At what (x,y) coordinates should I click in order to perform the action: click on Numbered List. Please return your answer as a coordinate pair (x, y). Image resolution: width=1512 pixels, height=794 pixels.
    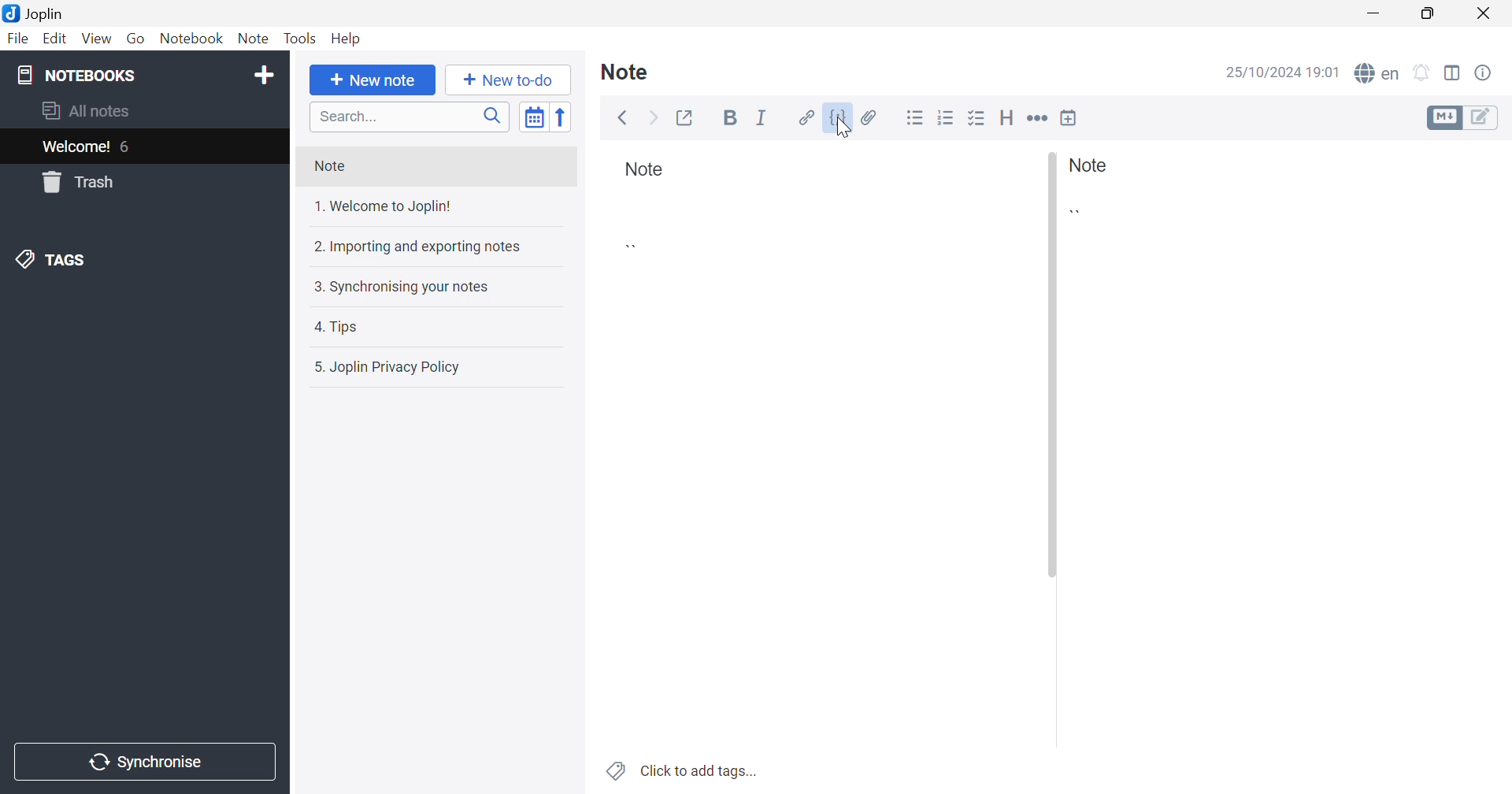
    Looking at the image, I should click on (946, 117).